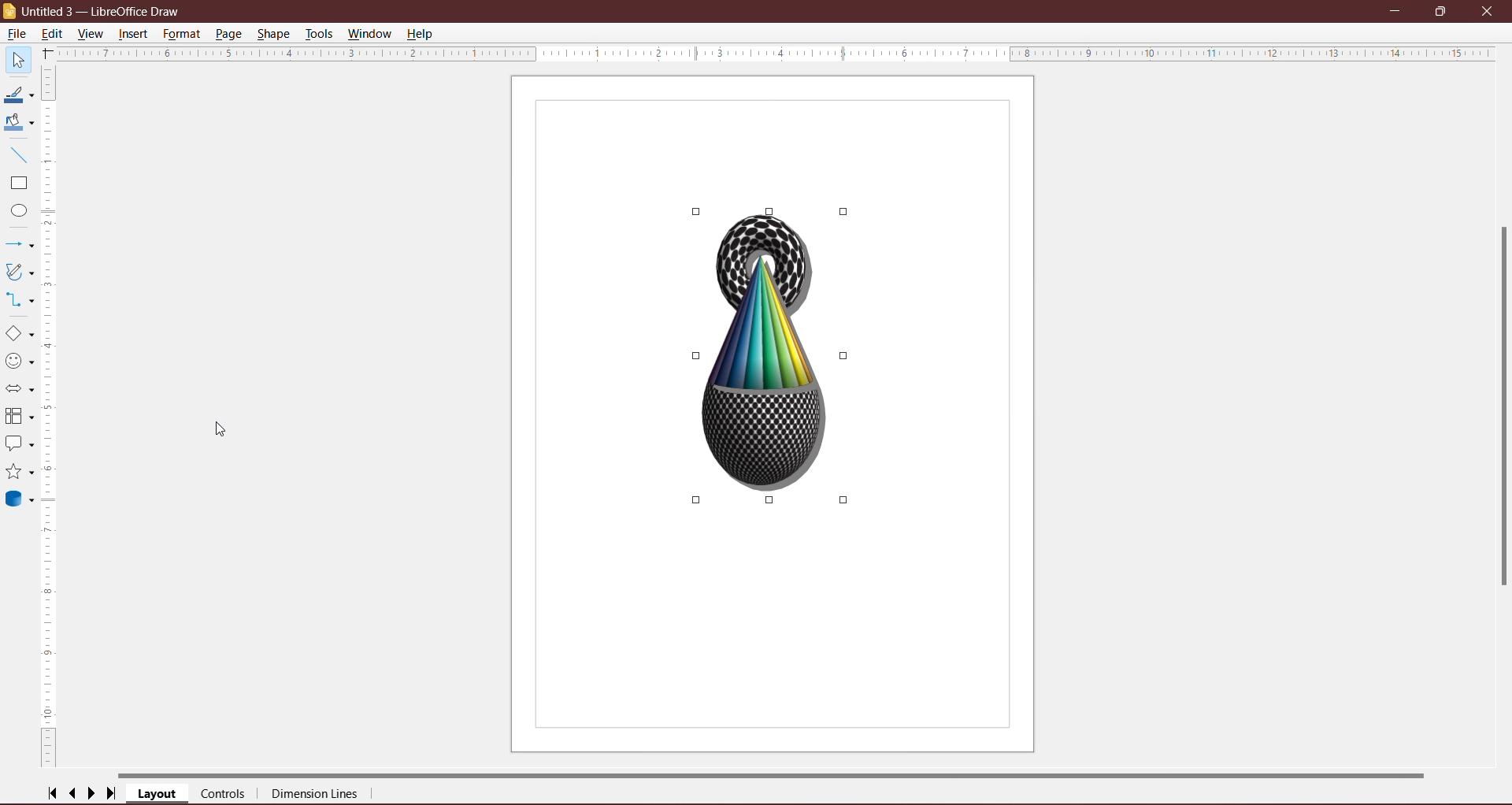 This screenshot has width=1512, height=805. Describe the element at coordinates (134, 35) in the screenshot. I see `Insert` at that location.